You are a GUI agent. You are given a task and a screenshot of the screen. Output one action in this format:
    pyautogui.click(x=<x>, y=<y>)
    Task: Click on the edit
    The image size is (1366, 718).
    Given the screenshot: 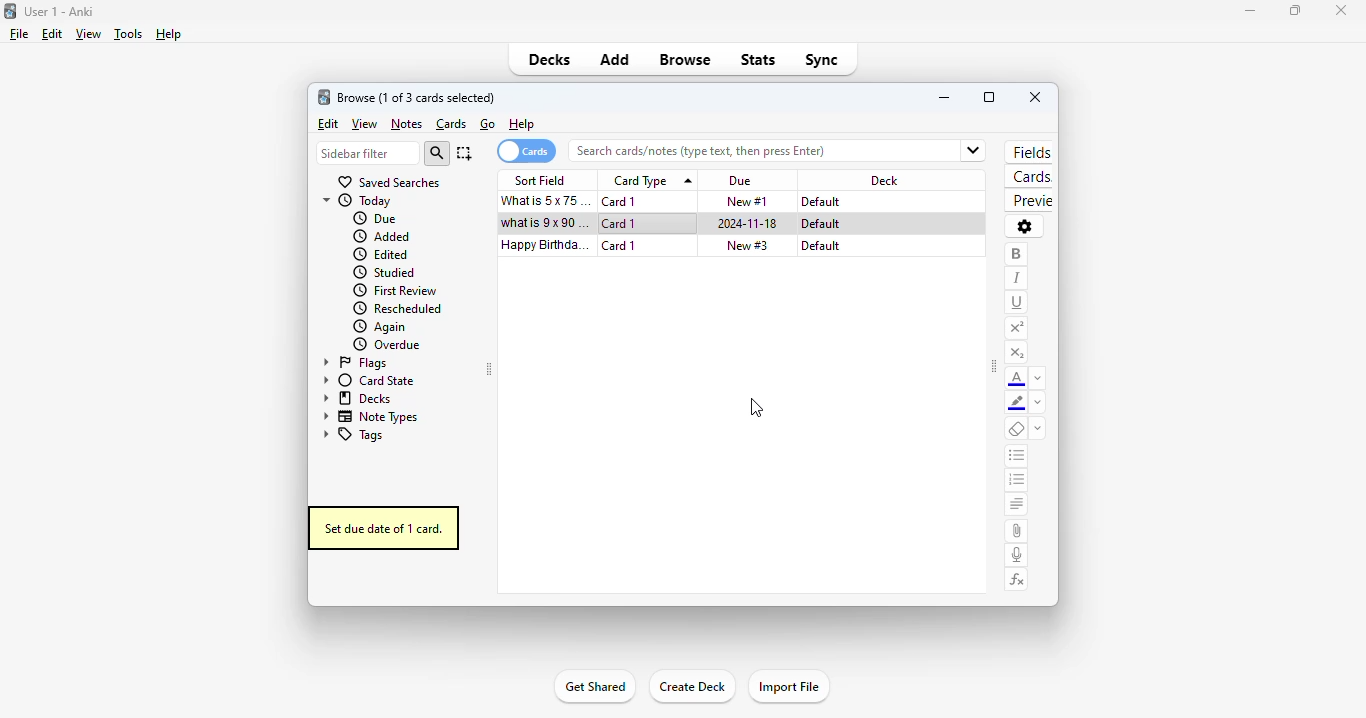 What is the action you would take?
    pyautogui.click(x=329, y=124)
    